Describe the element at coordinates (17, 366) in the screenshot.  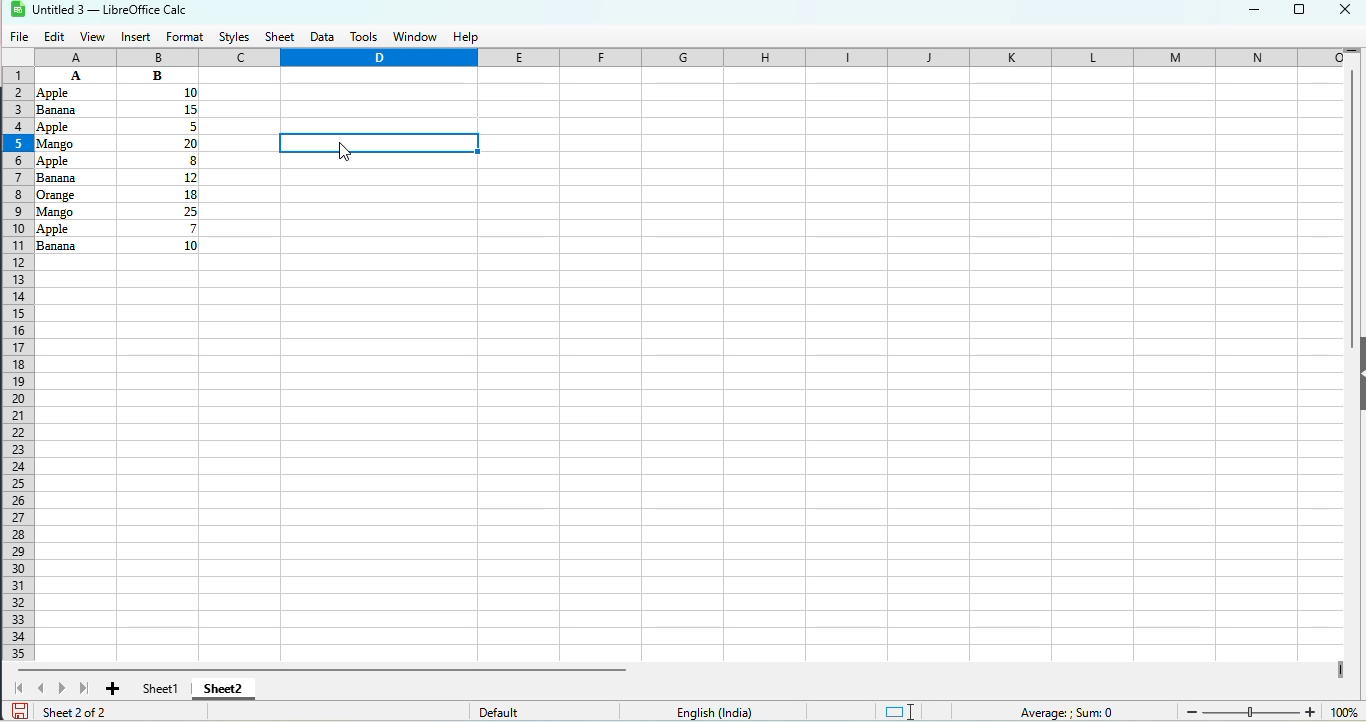
I see `rows` at that location.